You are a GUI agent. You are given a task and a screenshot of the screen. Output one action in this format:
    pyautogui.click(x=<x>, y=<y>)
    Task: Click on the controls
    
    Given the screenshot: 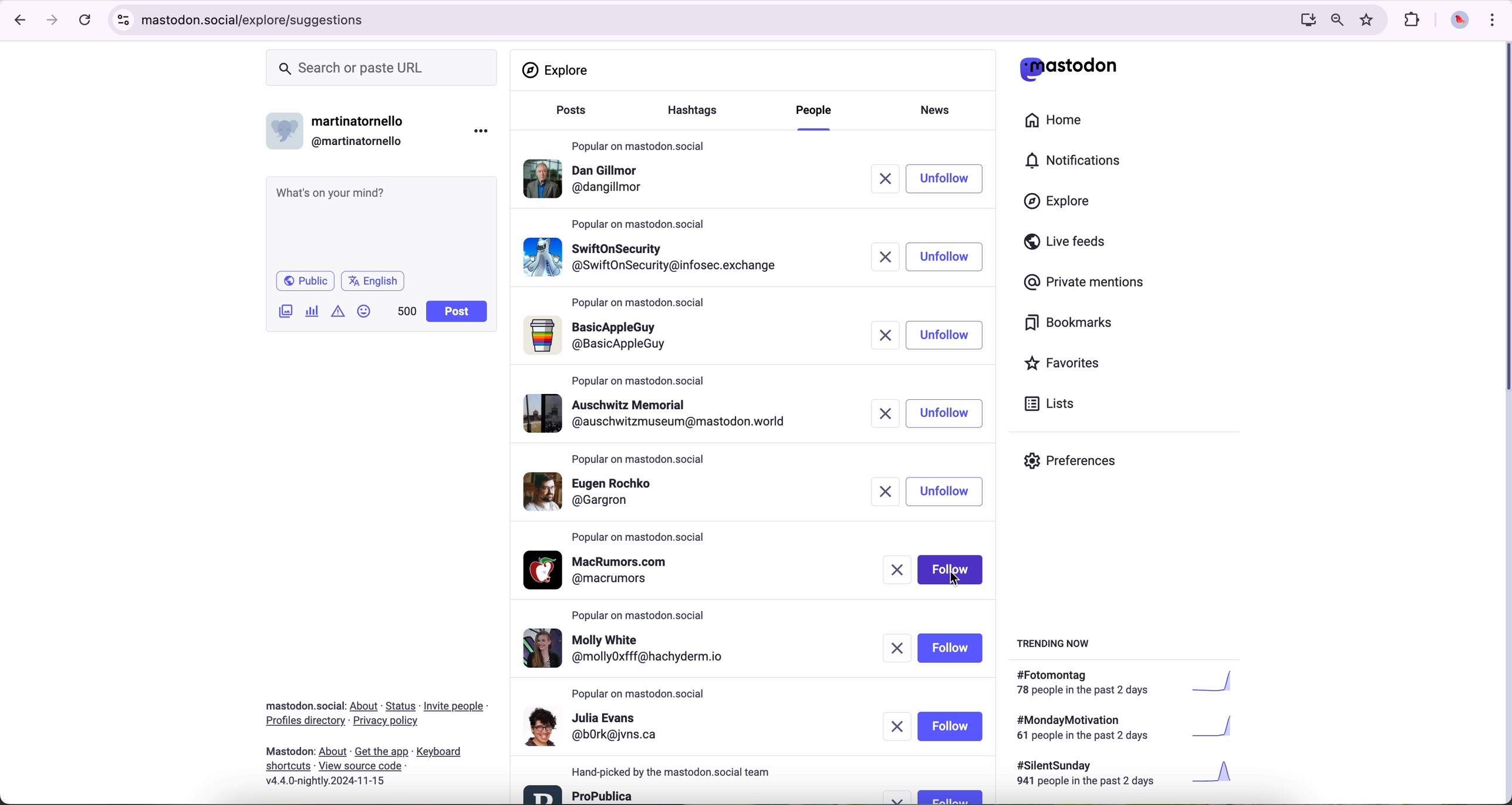 What is the action you would take?
    pyautogui.click(x=124, y=20)
    